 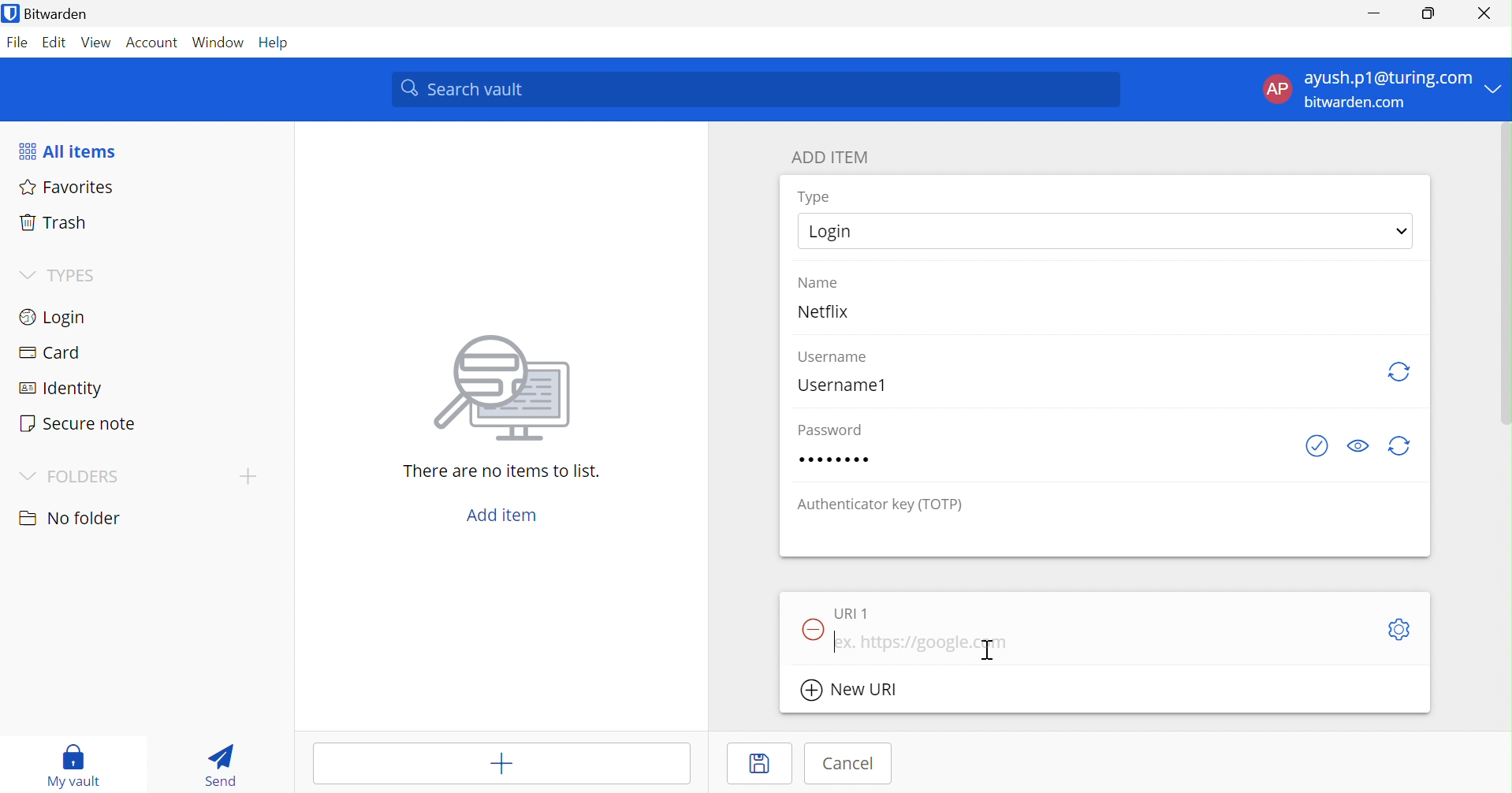 What do you see at coordinates (818, 282) in the screenshot?
I see `Name` at bounding box center [818, 282].